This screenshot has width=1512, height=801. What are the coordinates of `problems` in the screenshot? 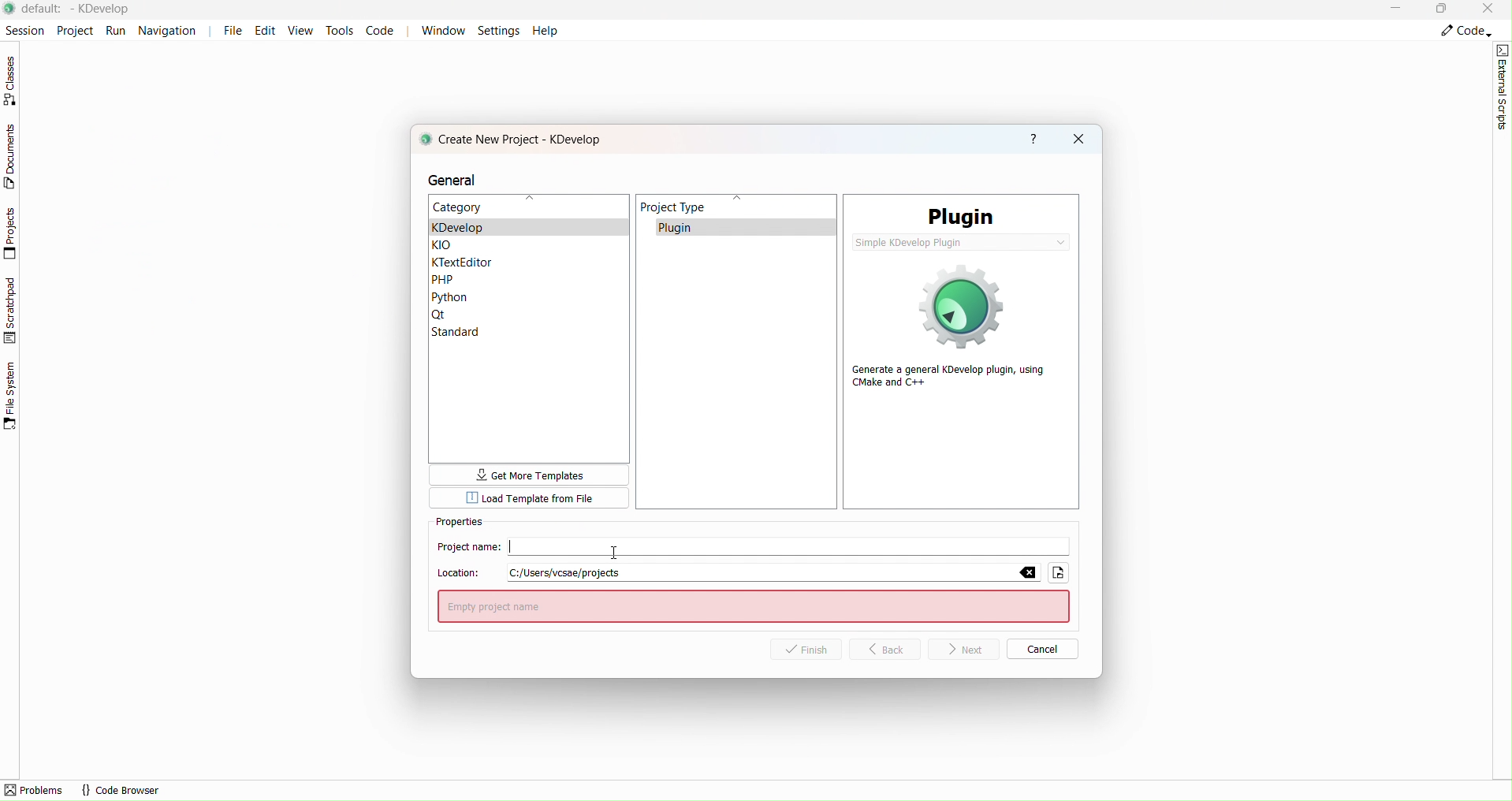 It's located at (35, 790).